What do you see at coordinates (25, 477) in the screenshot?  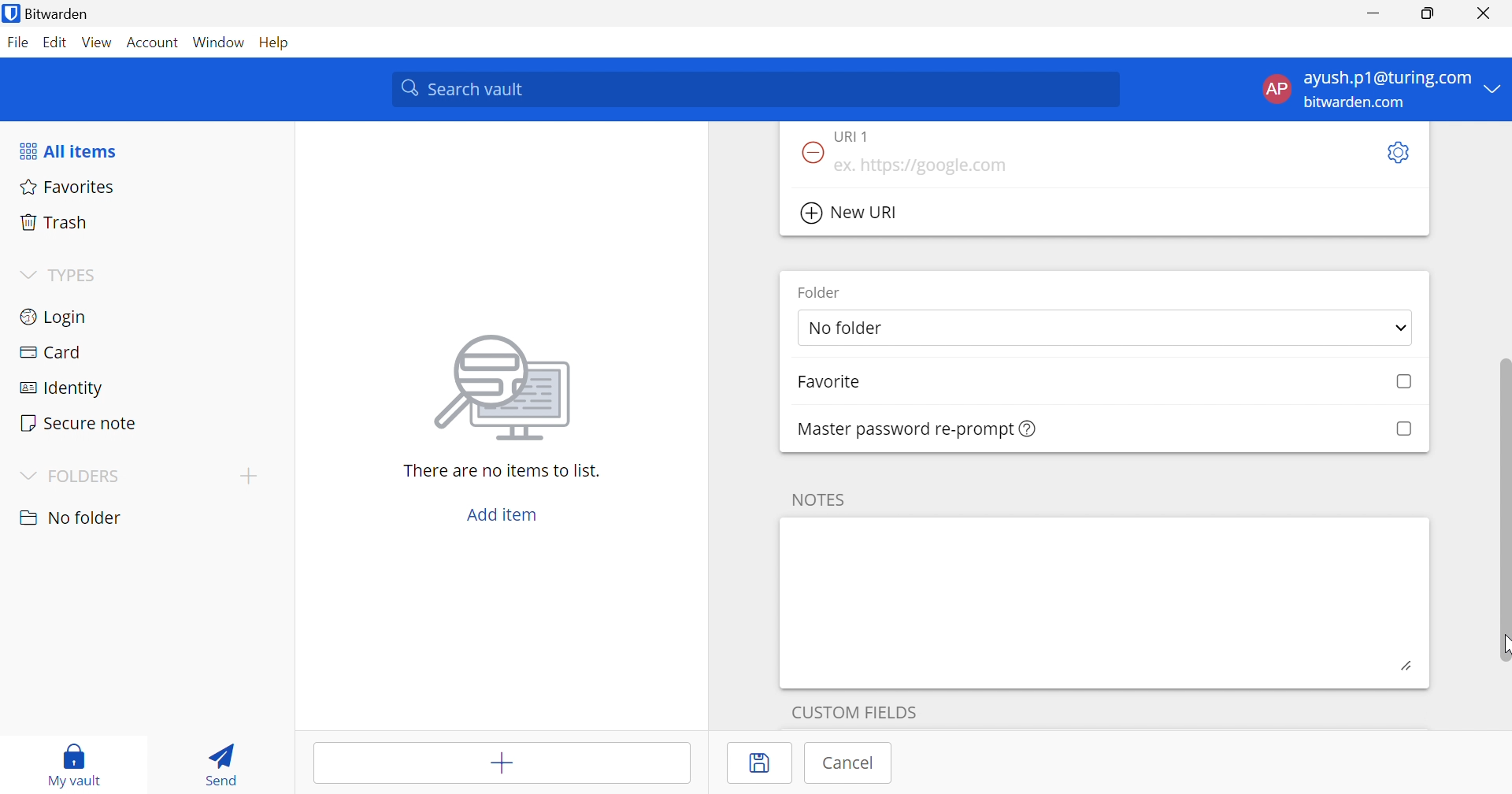 I see `Drop Down` at bounding box center [25, 477].